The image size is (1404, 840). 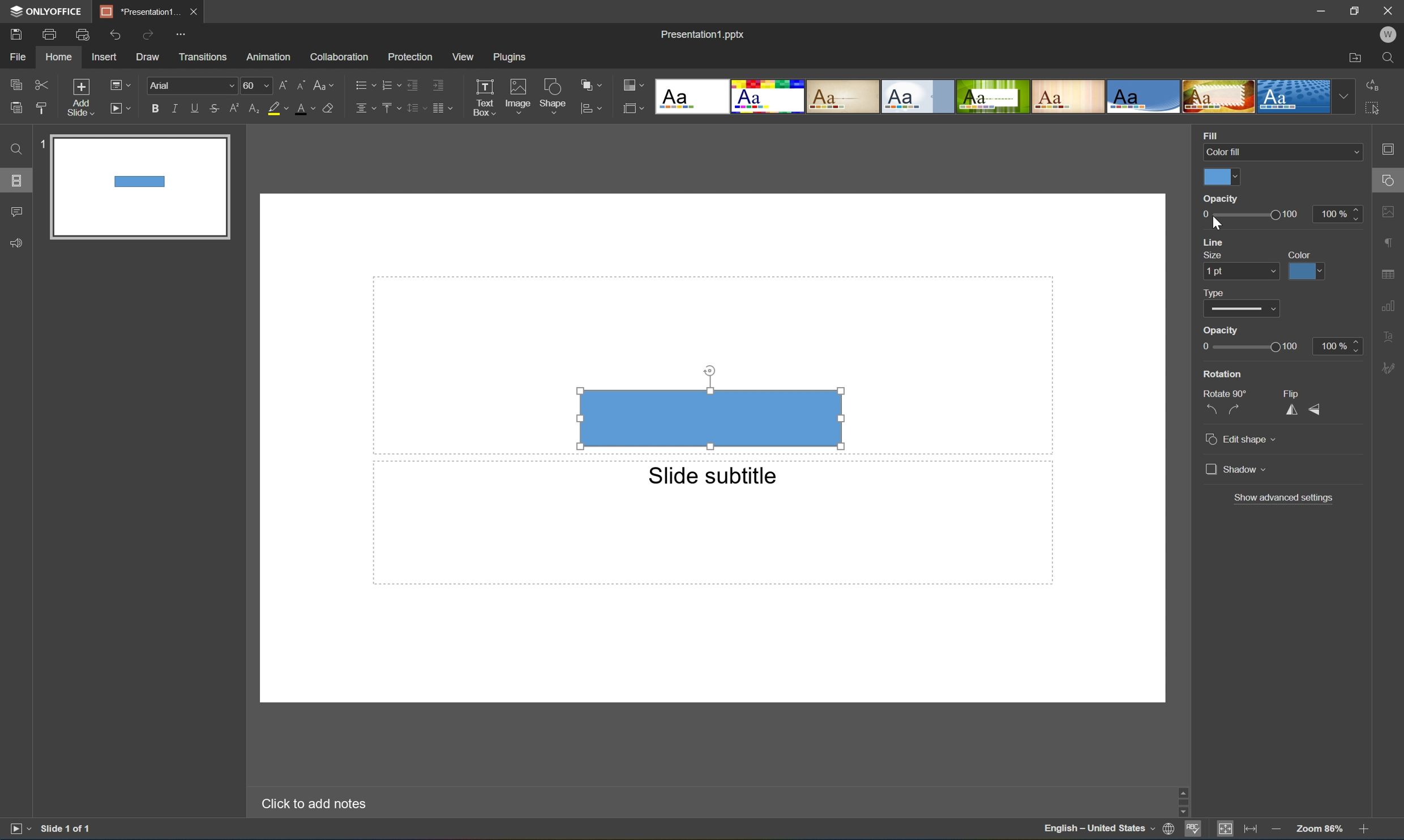 What do you see at coordinates (83, 34) in the screenshot?
I see `Quick print` at bounding box center [83, 34].